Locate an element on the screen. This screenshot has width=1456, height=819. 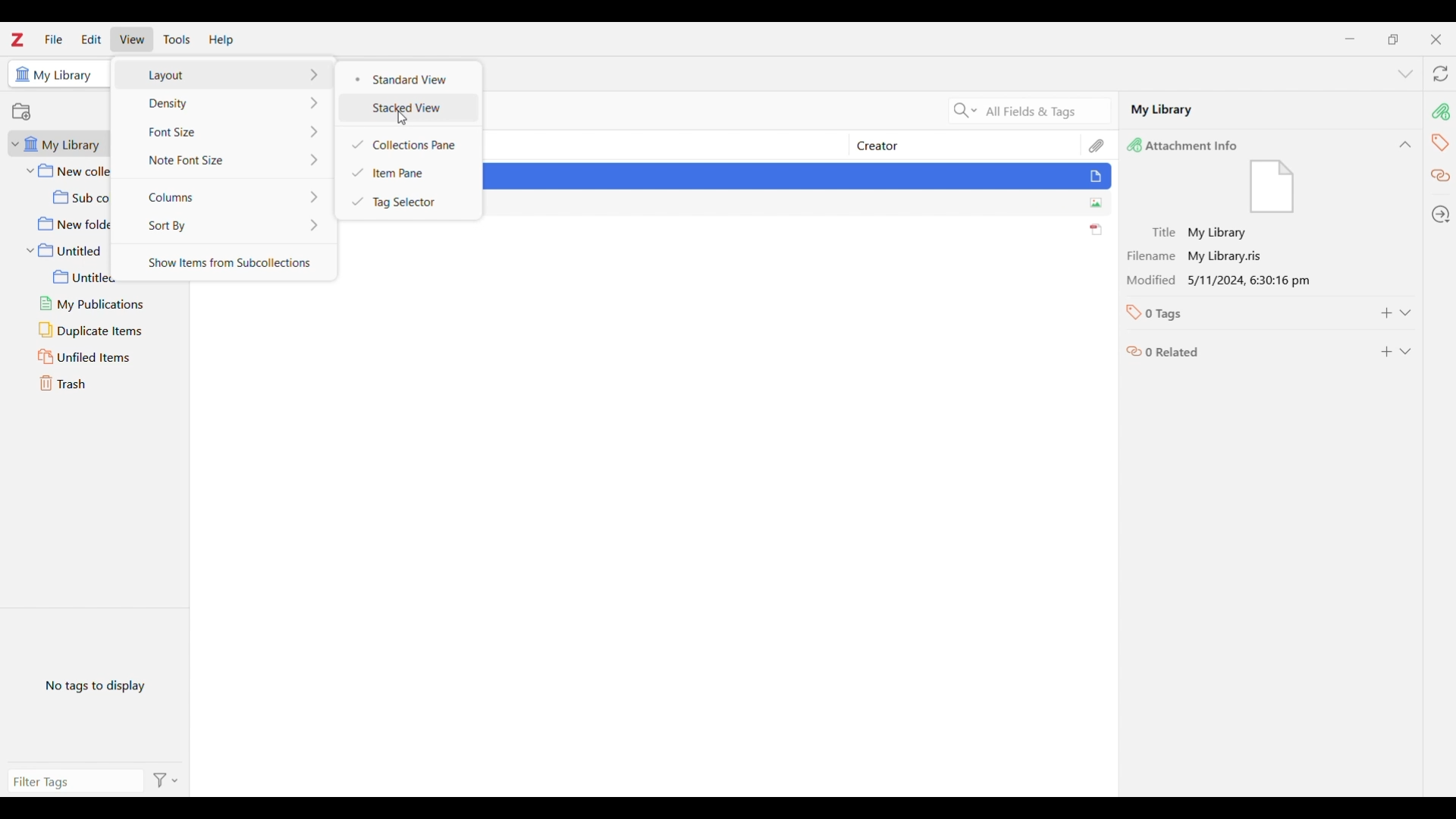
File menu is located at coordinates (54, 39).